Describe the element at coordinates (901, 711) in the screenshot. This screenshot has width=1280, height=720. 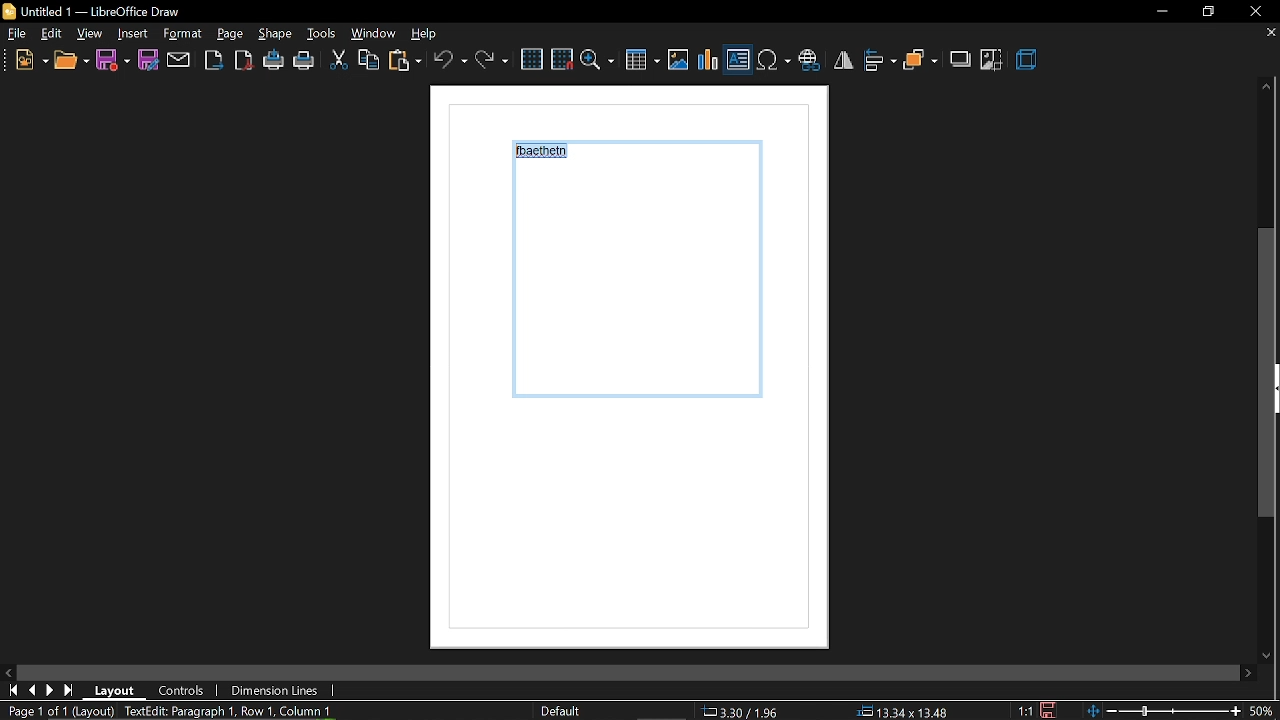
I see `position (13.34x13.48)` at that location.